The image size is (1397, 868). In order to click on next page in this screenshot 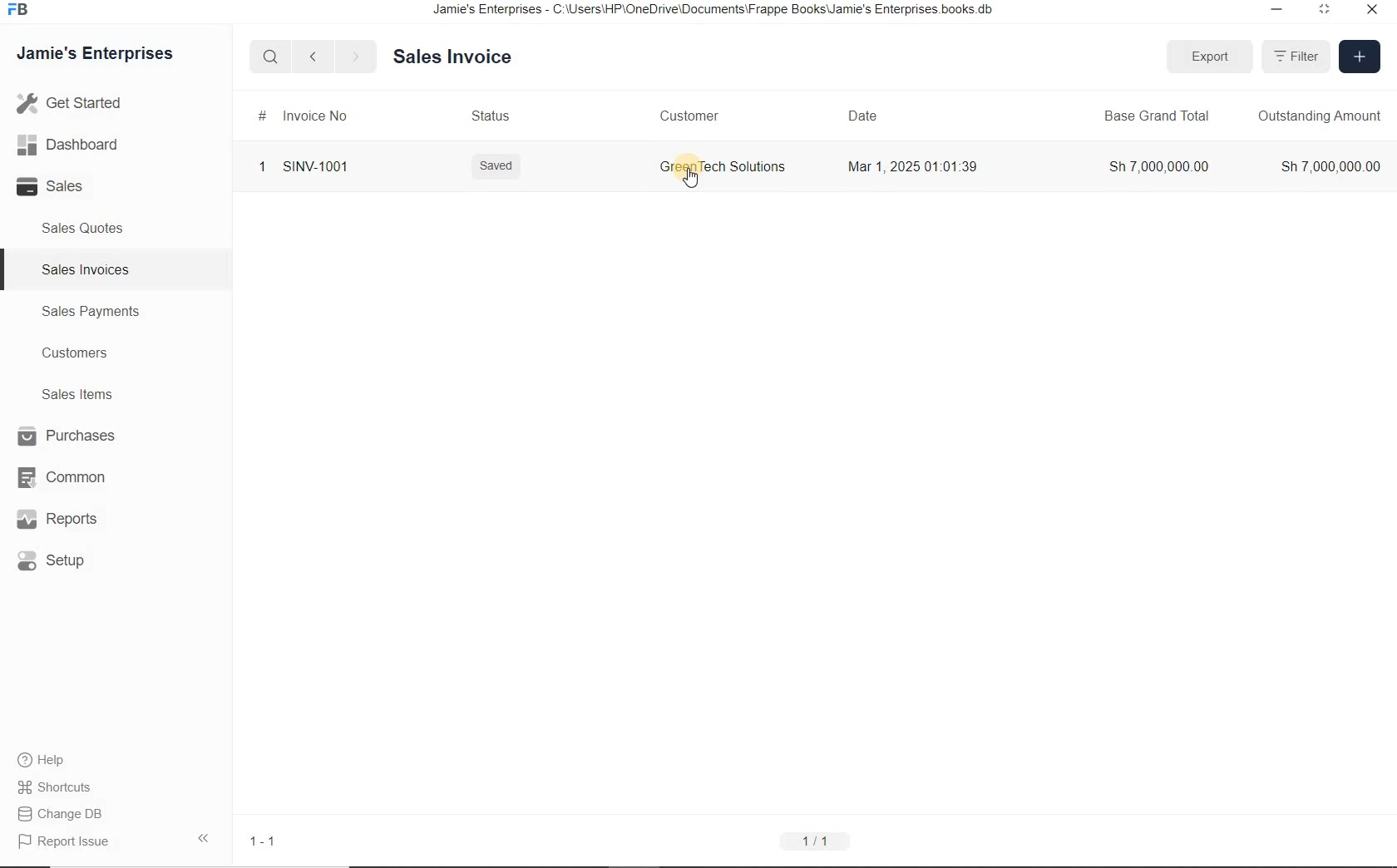, I will do `click(353, 56)`.